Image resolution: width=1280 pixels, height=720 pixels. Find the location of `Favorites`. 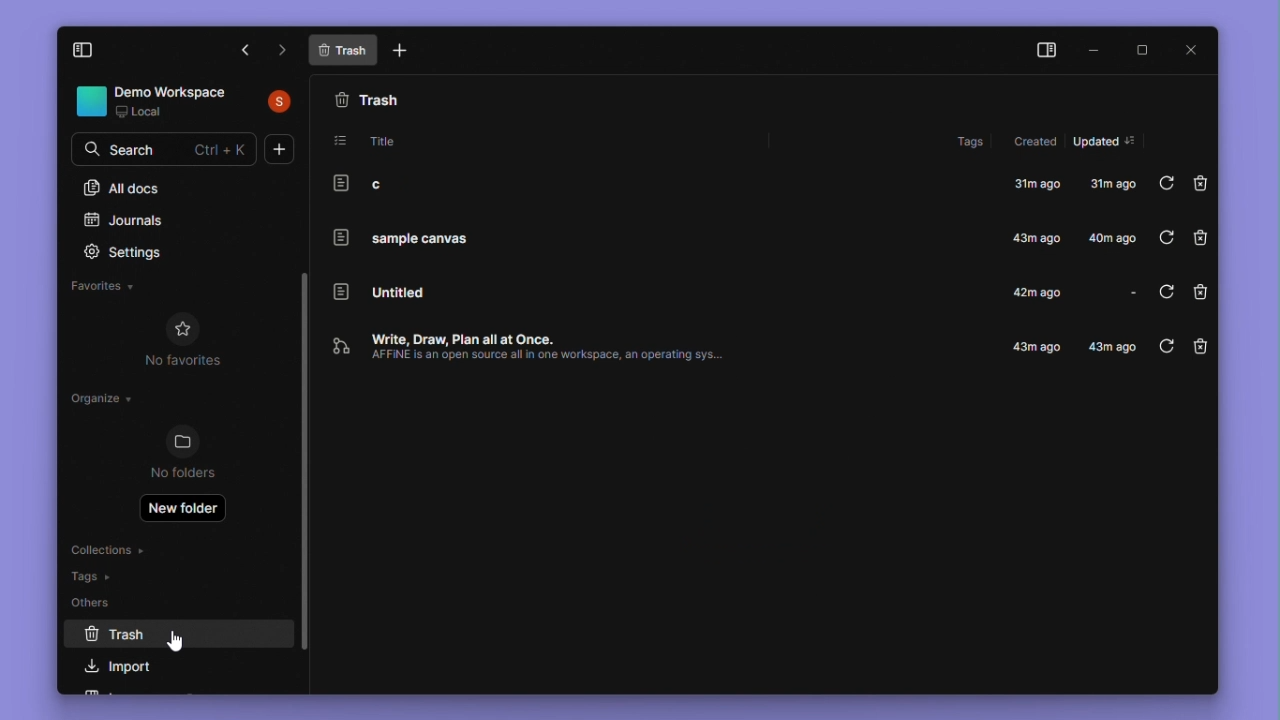

Favorites is located at coordinates (123, 291).